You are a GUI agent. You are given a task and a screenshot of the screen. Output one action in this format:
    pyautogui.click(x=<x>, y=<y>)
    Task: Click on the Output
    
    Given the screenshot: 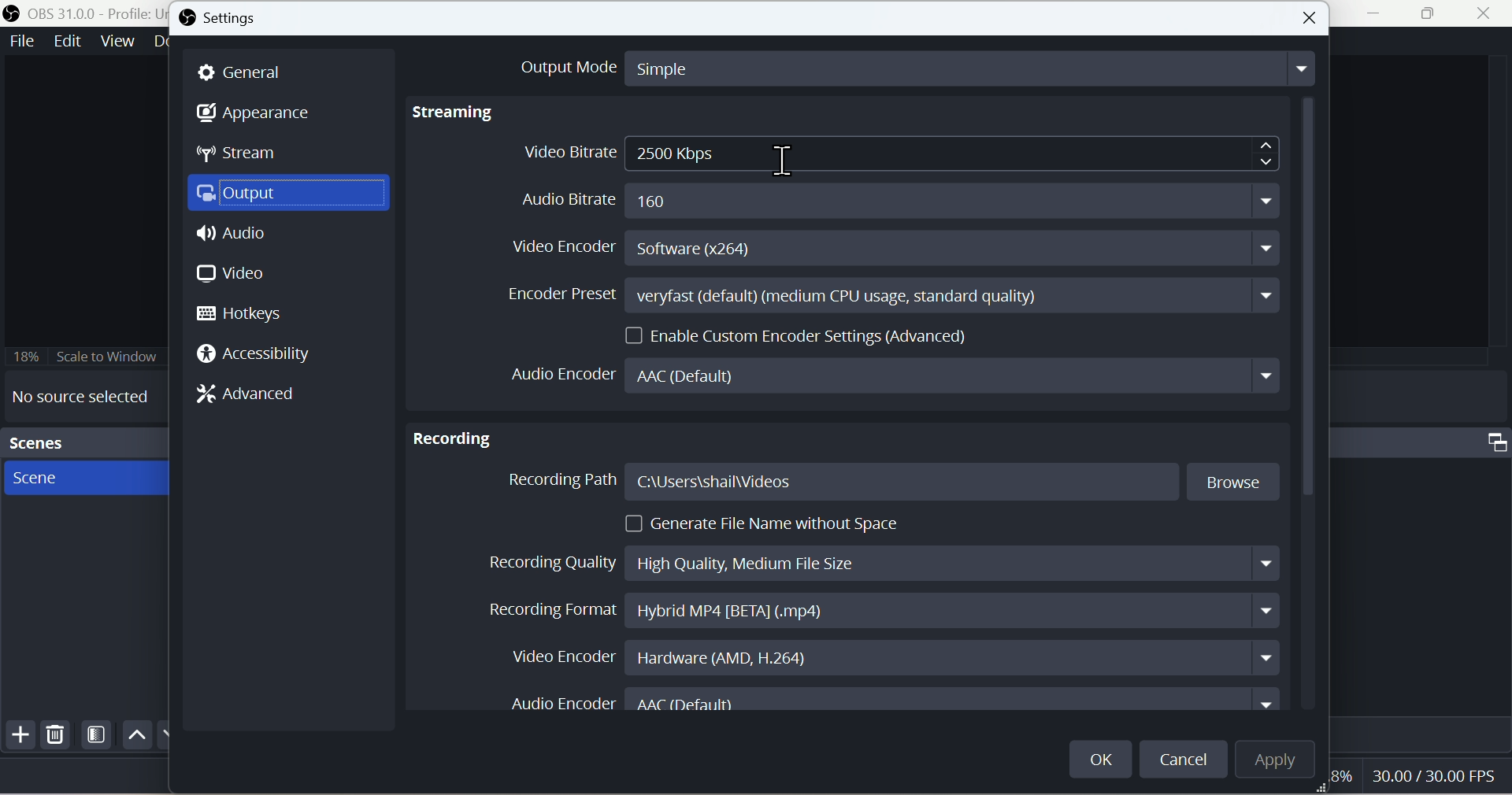 What is the action you would take?
    pyautogui.click(x=293, y=197)
    